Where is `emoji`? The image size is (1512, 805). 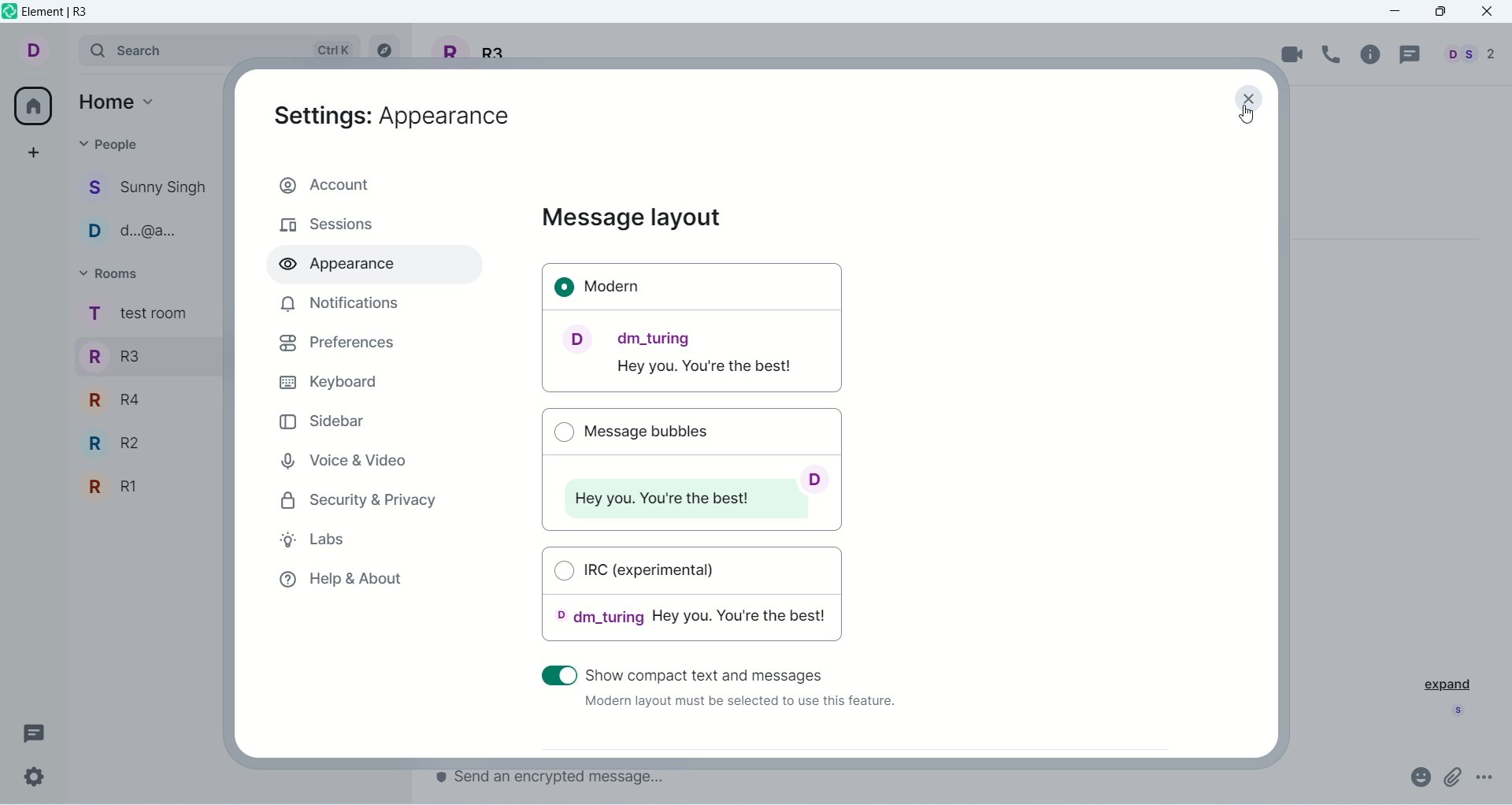
emoji is located at coordinates (1419, 776).